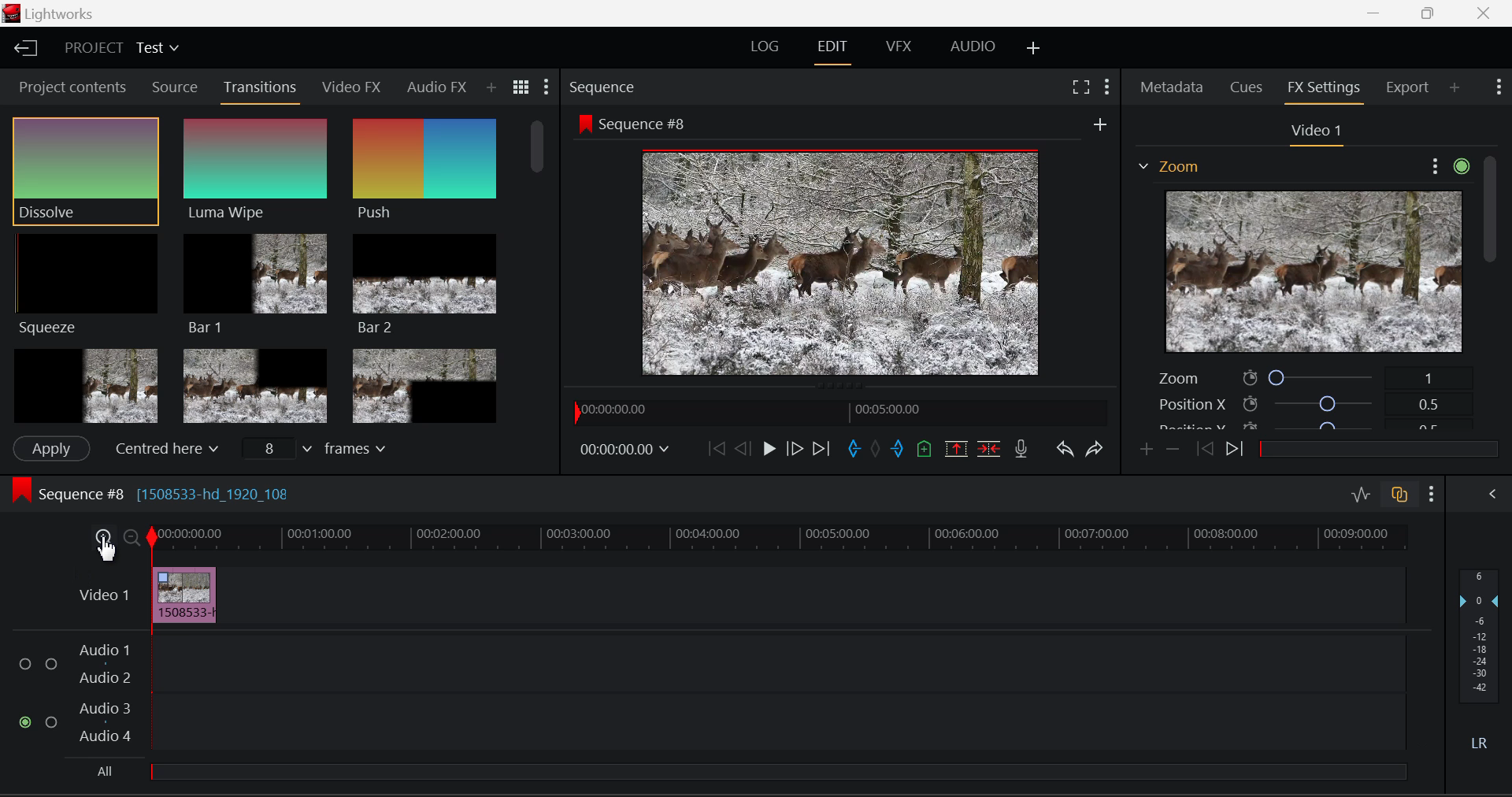 The height and width of the screenshot is (797, 1512). Describe the element at coordinates (317, 447) in the screenshot. I see `Frames input` at that location.